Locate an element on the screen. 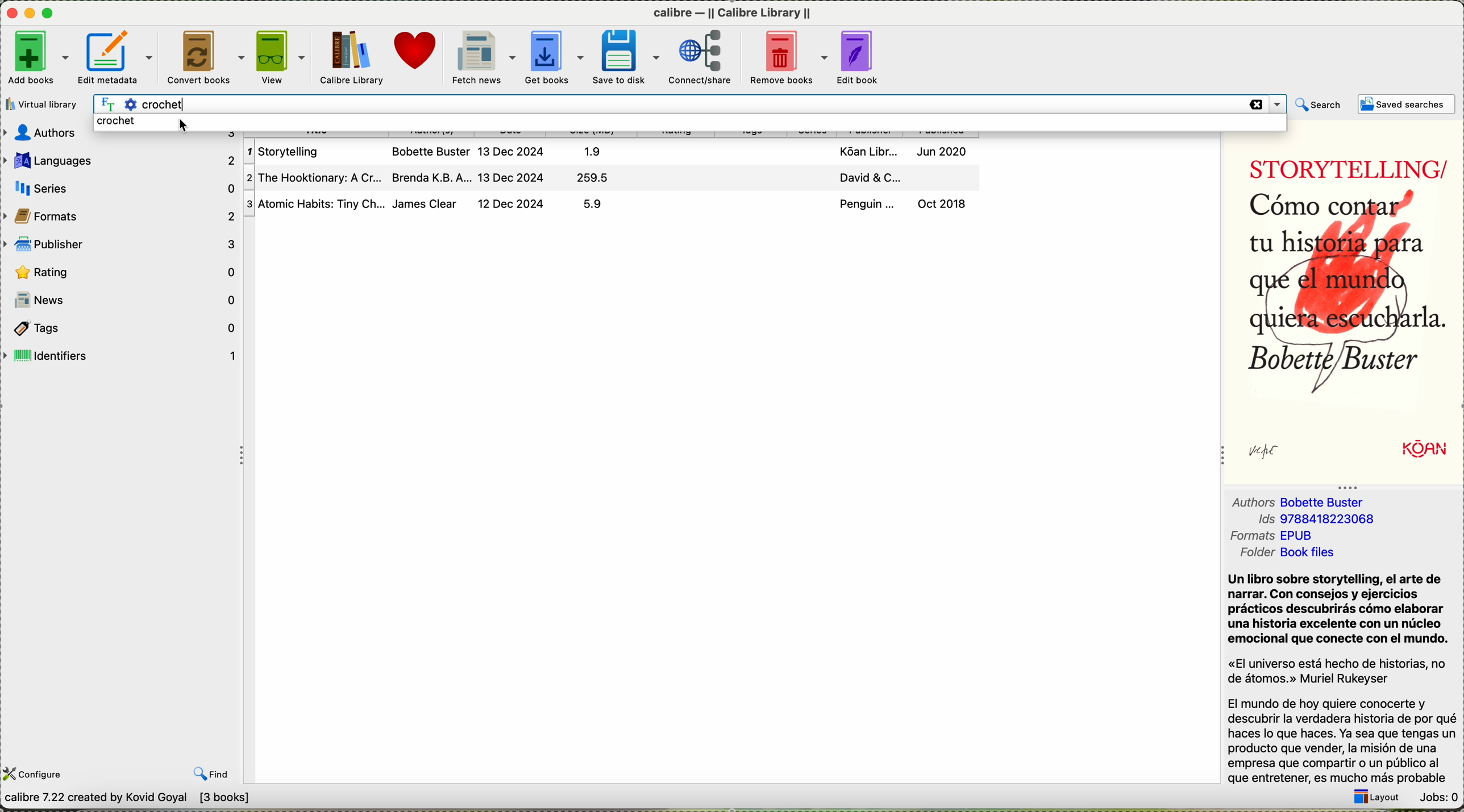 This screenshot has height=812, width=1464. save to disk is located at coordinates (626, 56).